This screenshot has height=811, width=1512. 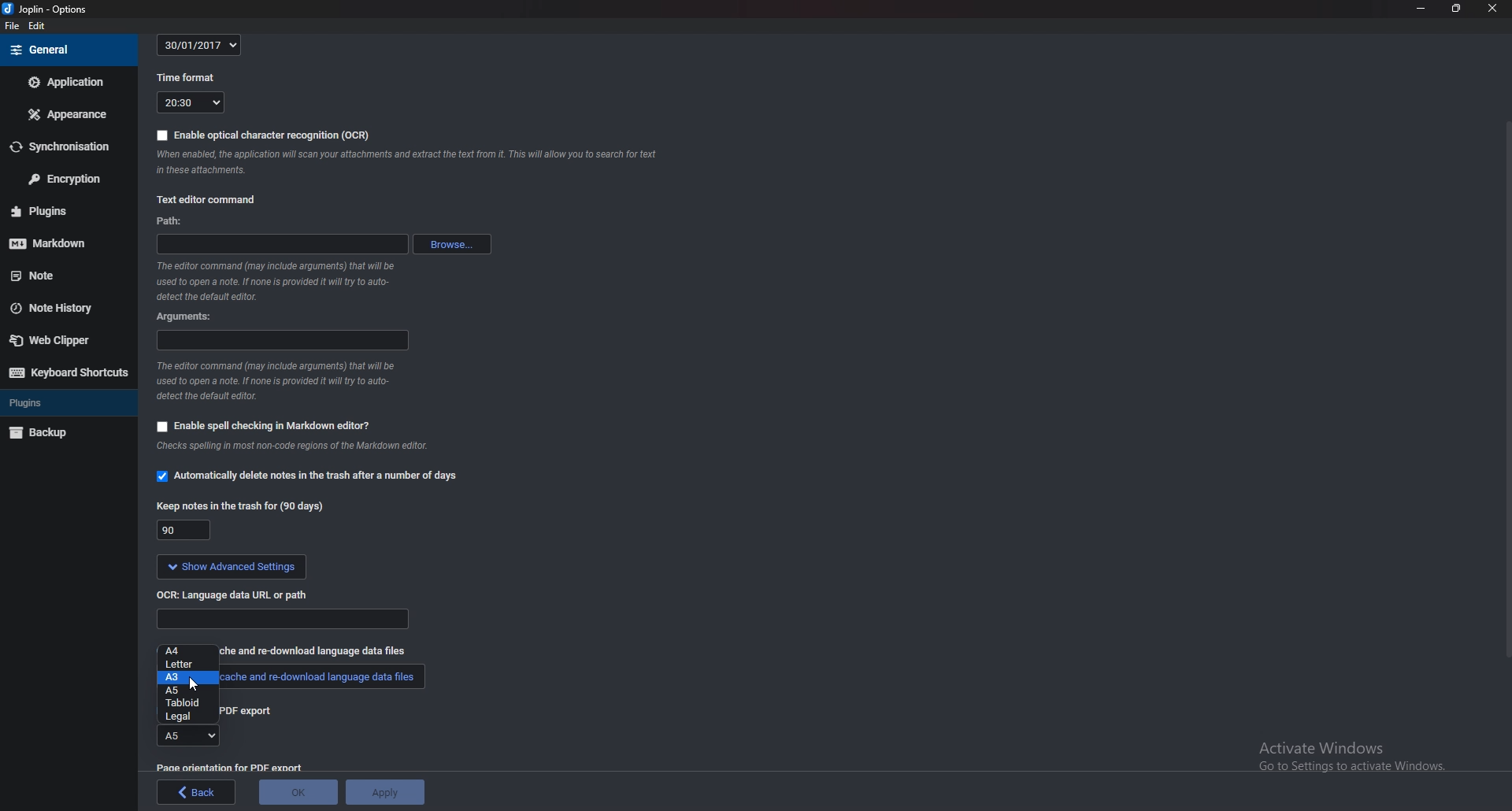 What do you see at coordinates (1492, 9) in the screenshot?
I see `close` at bounding box center [1492, 9].